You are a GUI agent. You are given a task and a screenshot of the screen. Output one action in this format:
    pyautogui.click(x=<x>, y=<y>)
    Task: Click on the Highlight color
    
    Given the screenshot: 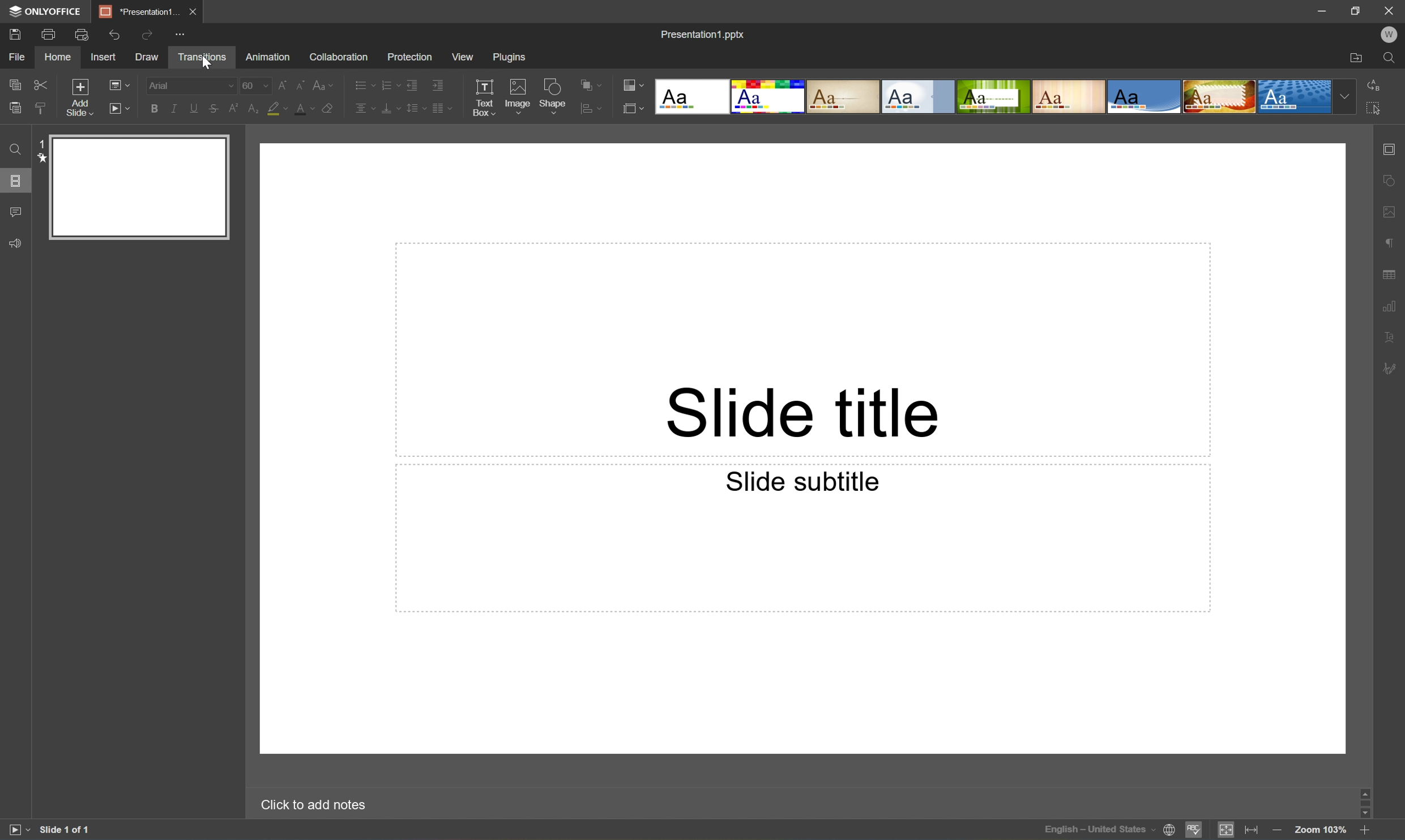 What is the action you would take?
    pyautogui.click(x=275, y=107)
    